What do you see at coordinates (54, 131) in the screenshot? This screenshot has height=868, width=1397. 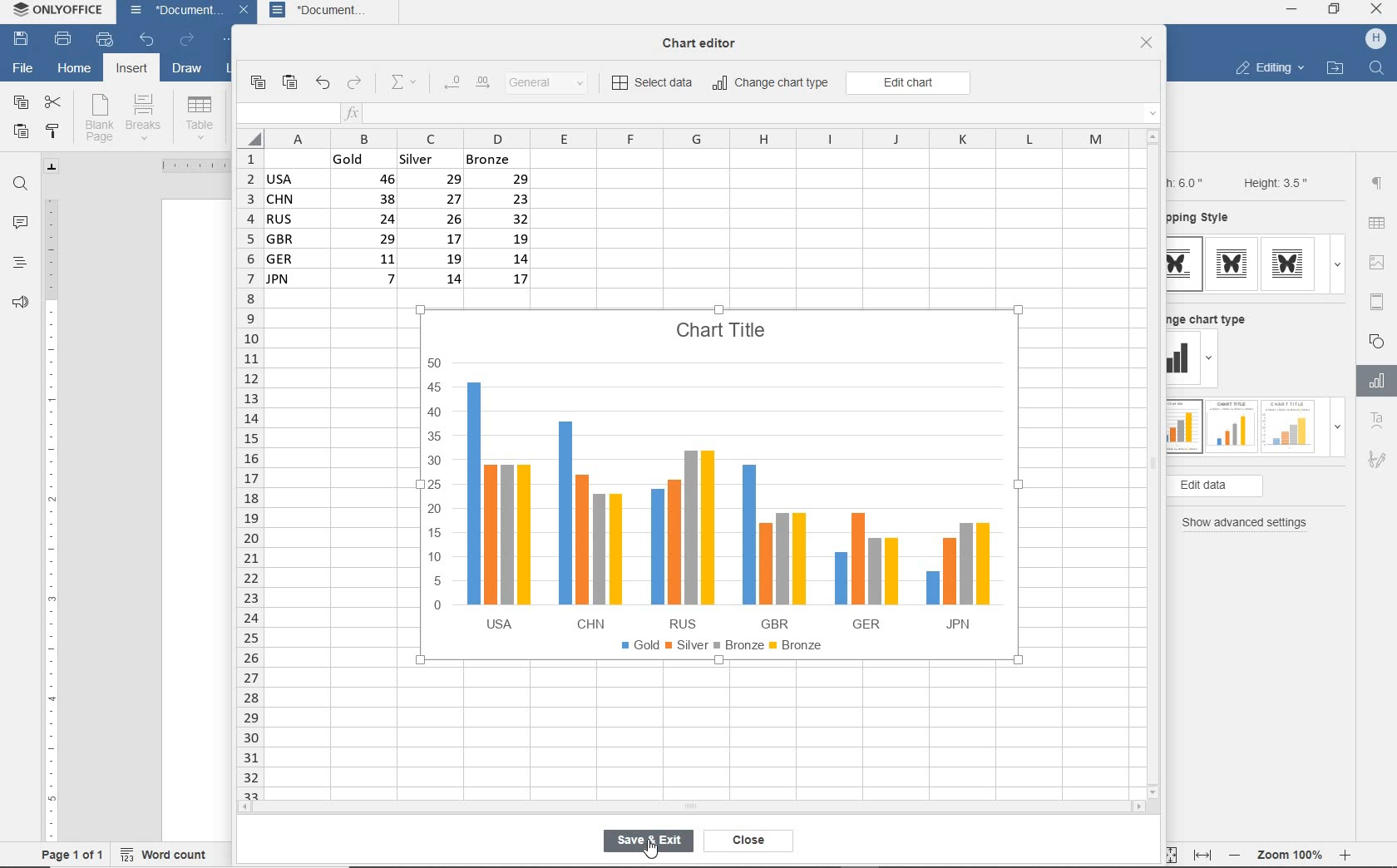 I see `copy style` at bounding box center [54, 131].